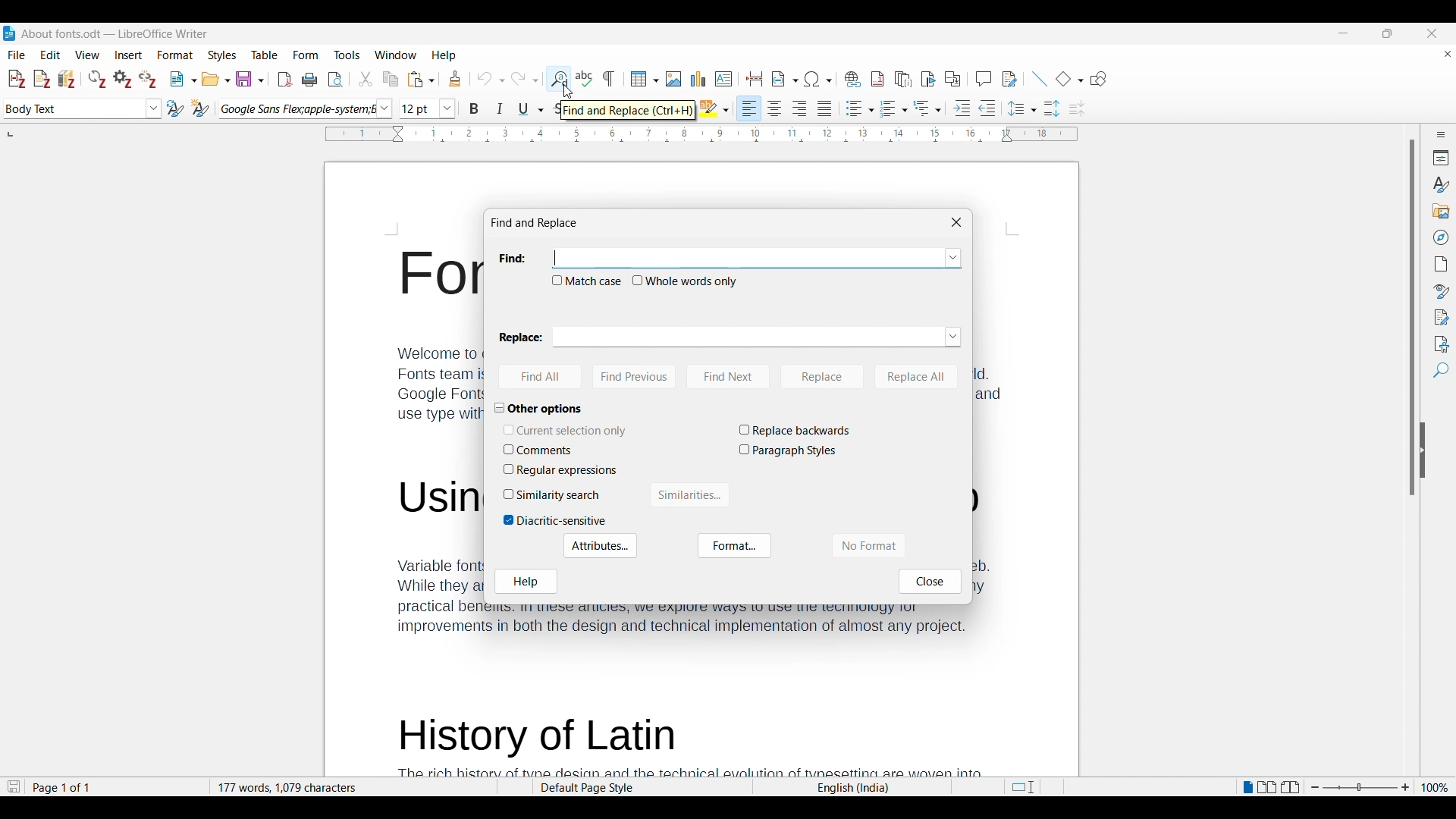  I want to click on Unlink citations, so click(148, 79).